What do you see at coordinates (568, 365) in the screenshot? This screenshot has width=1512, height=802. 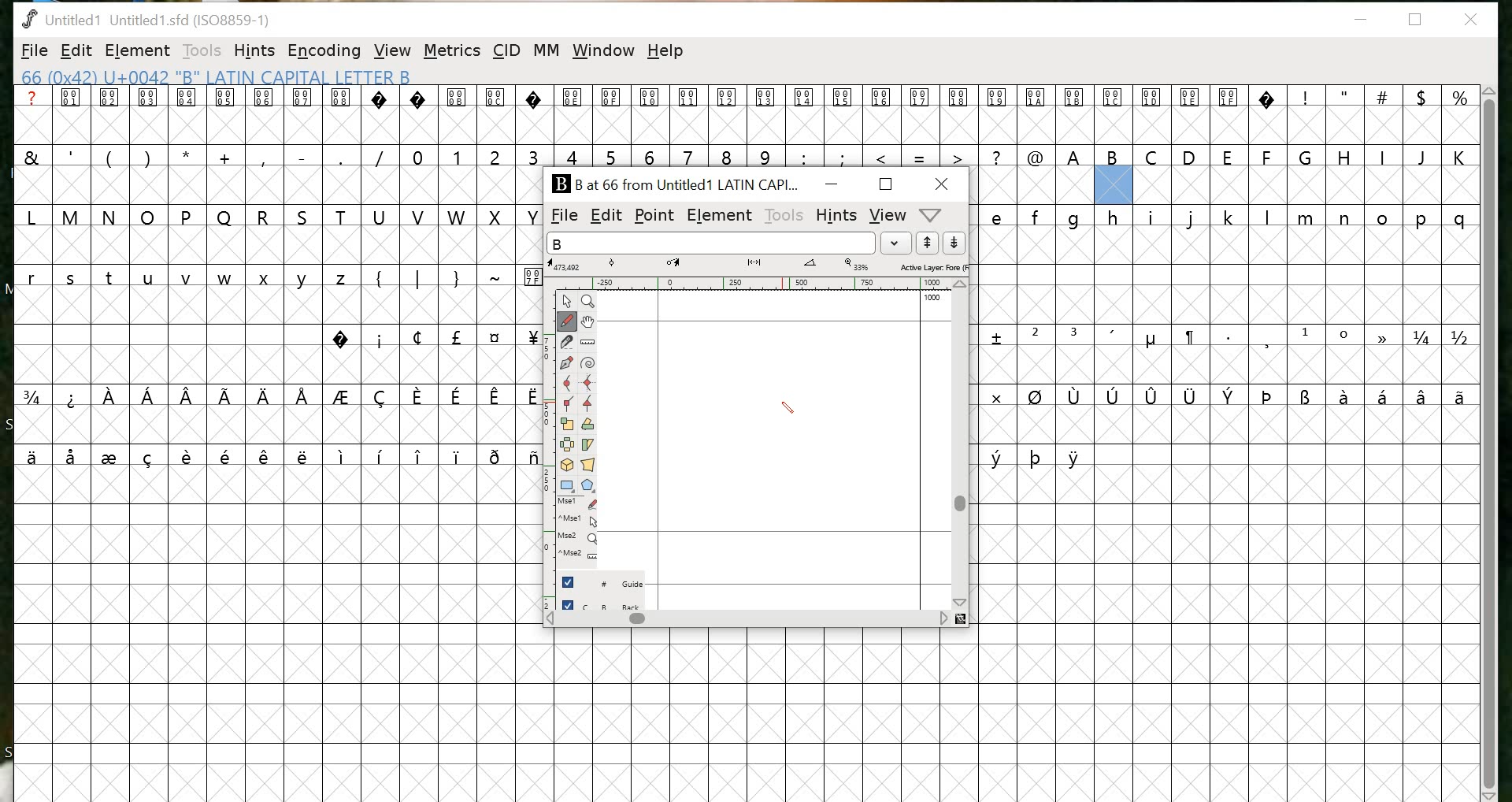 I see `Pen` at bounding box center [568, 365].